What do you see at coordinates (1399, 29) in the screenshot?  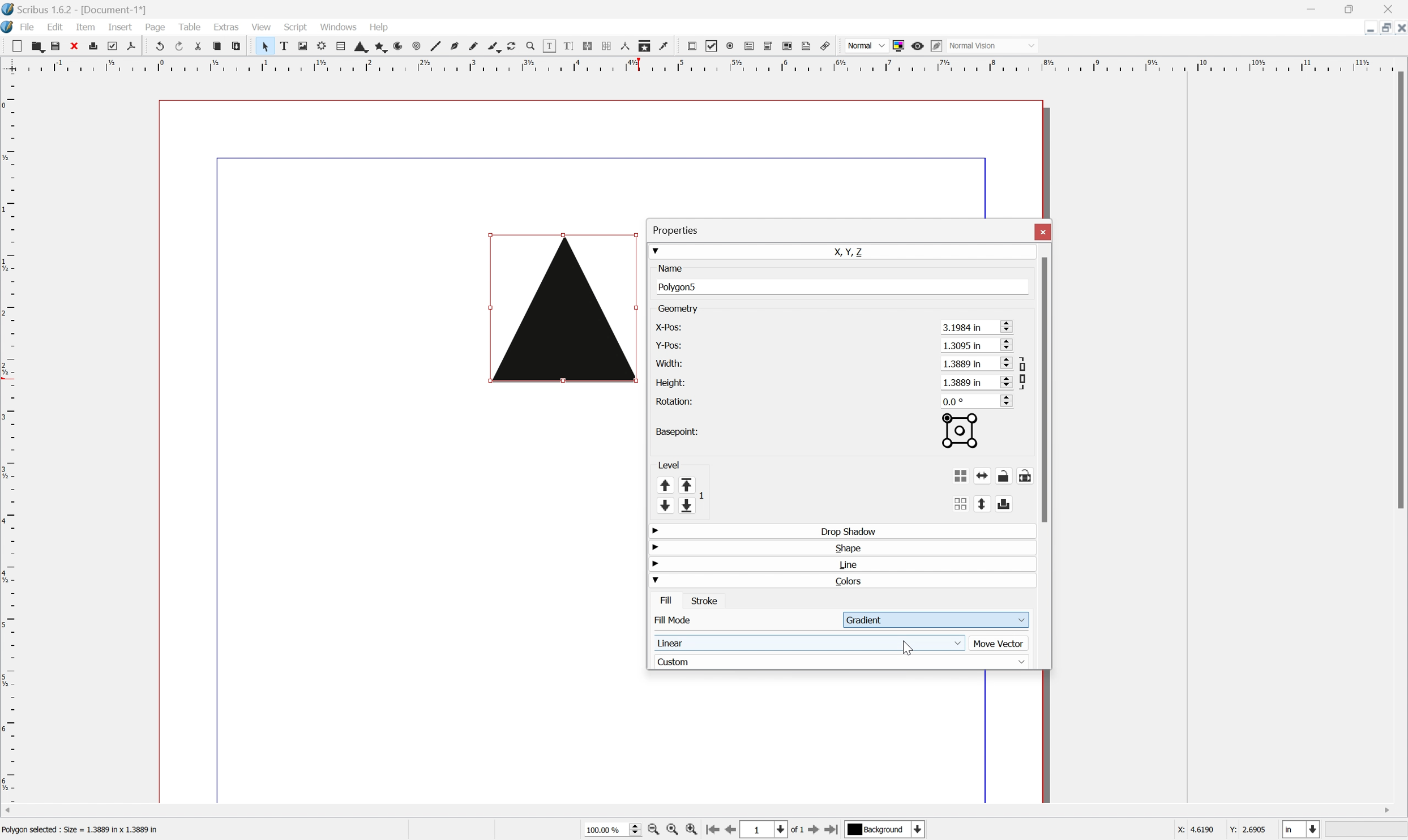 I see `Close` at bounding box center [1399, 29].